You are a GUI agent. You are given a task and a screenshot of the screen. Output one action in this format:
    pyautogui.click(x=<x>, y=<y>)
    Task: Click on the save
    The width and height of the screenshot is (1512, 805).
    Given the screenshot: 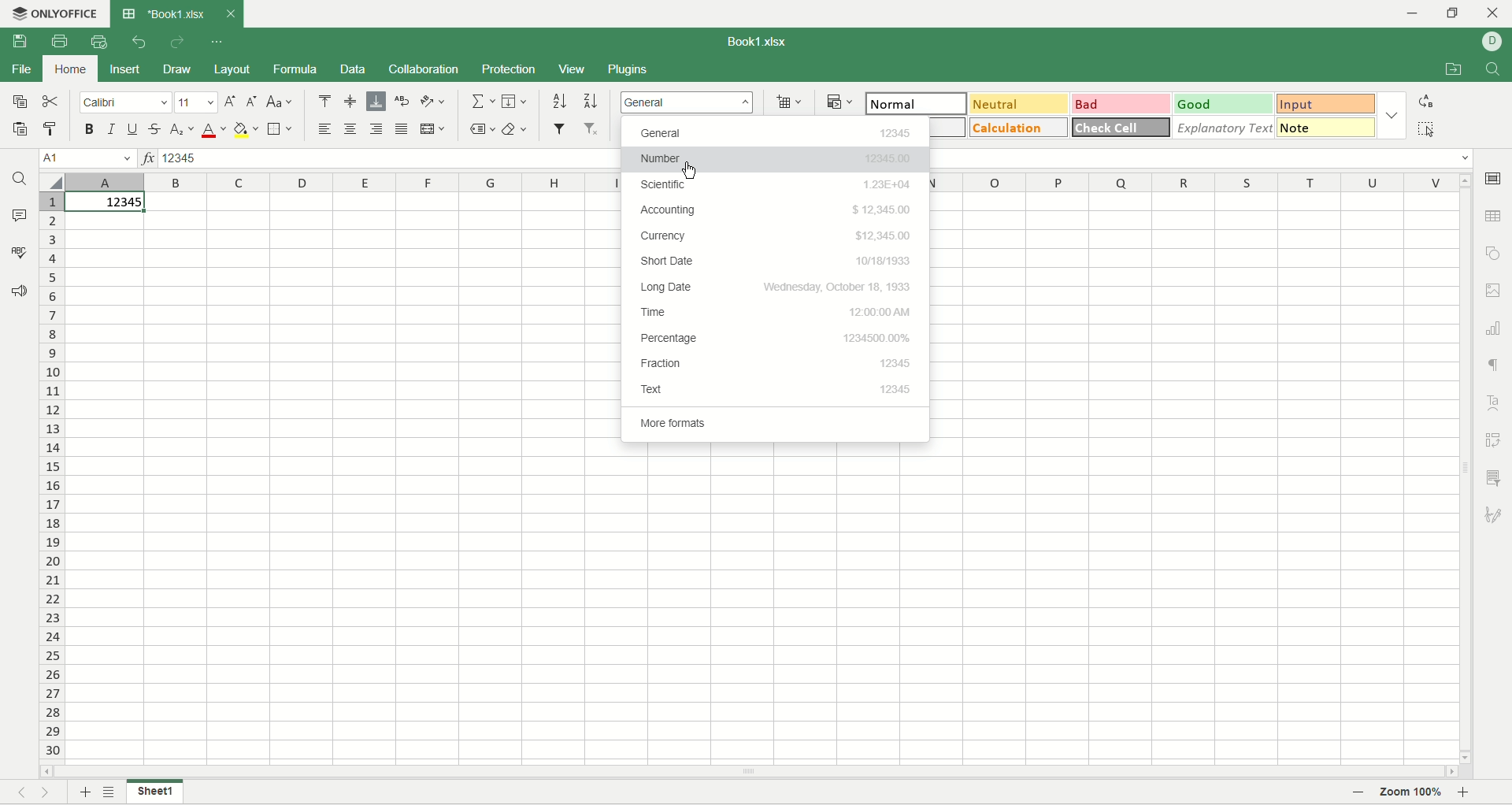 What is the action you would take?
    pyautogui.click(x=26, y=43)
    